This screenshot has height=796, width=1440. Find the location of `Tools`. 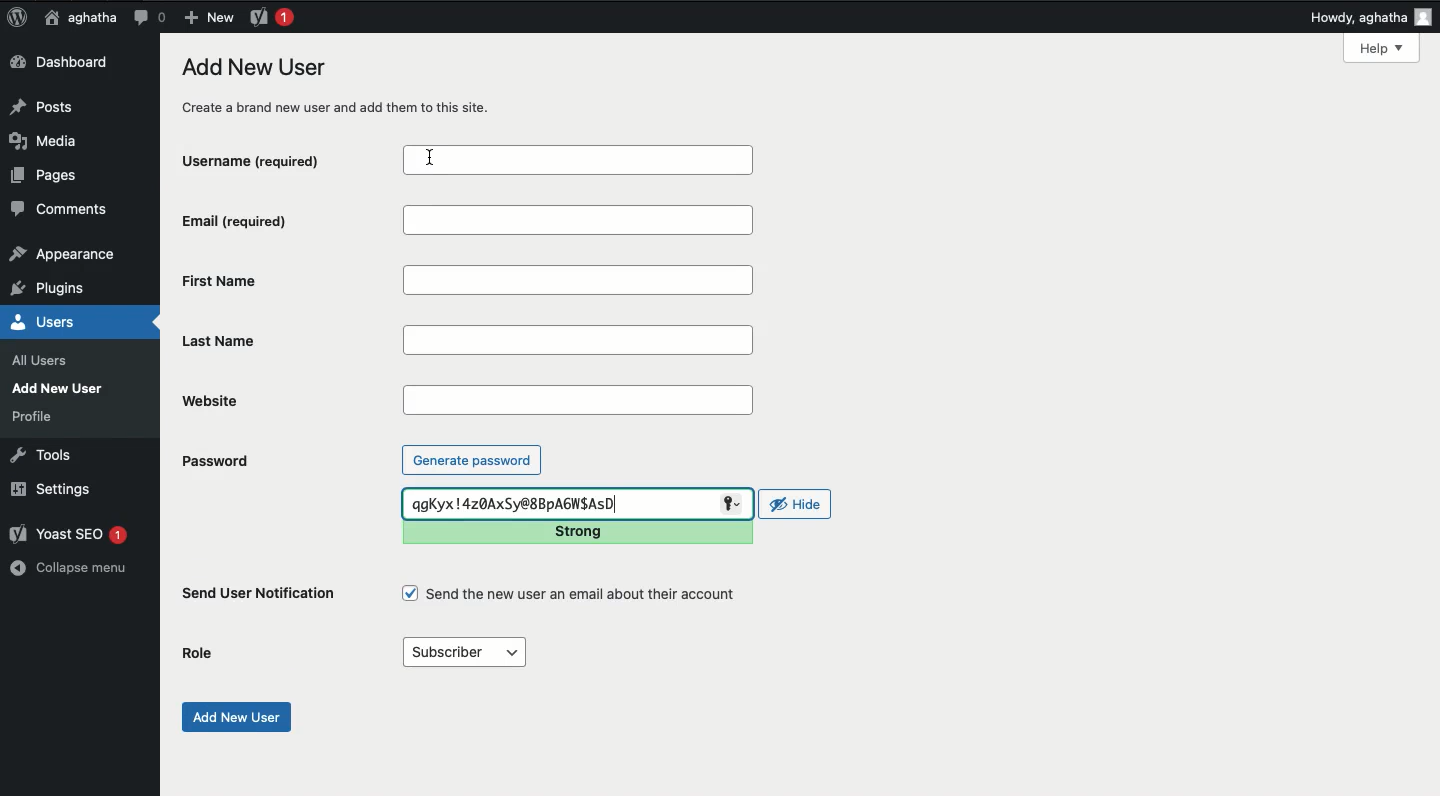

Tools is located at coordinates (42, 453).